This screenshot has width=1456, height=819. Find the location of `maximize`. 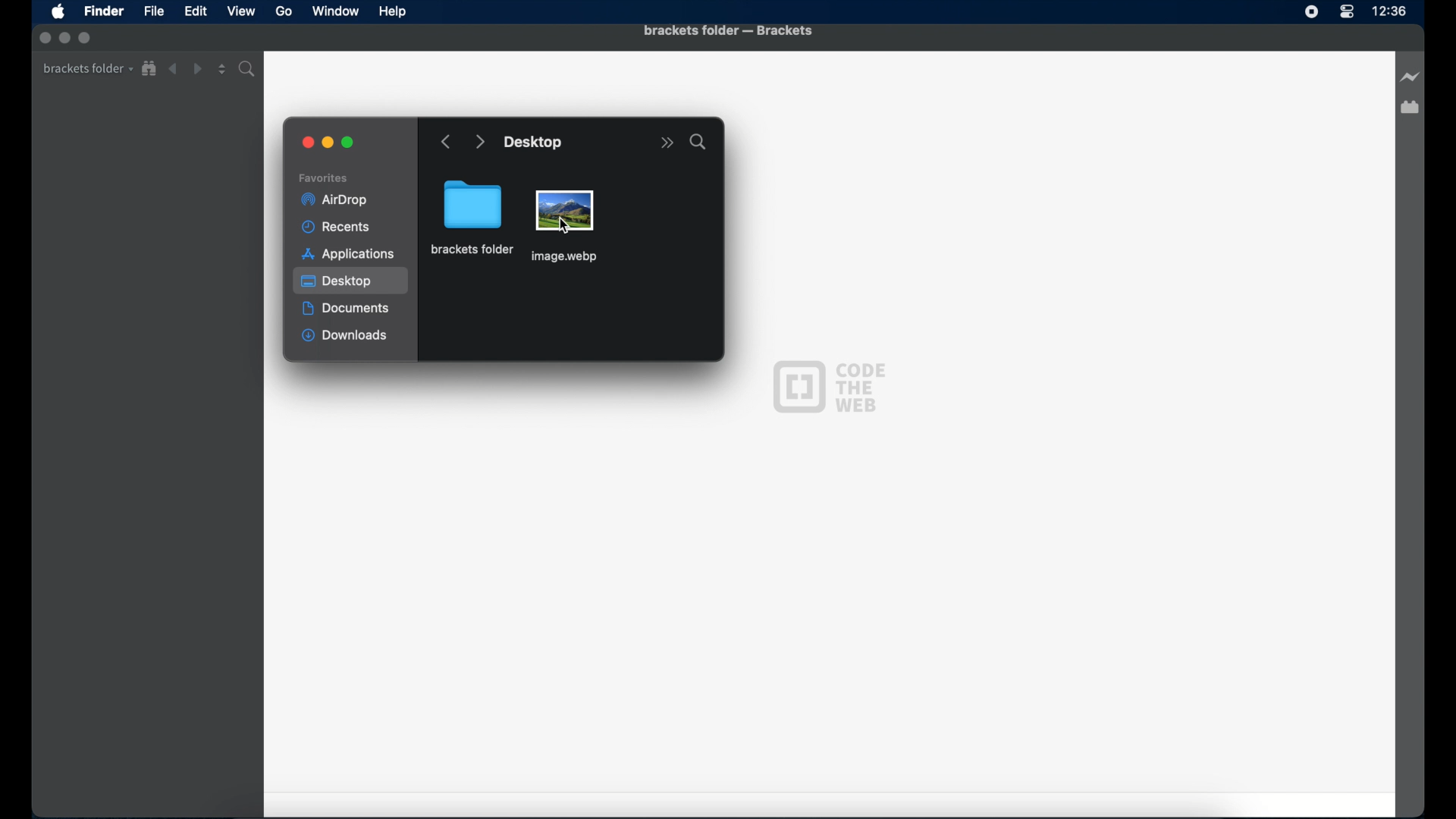

maximize is located at coordinates (350, 143).